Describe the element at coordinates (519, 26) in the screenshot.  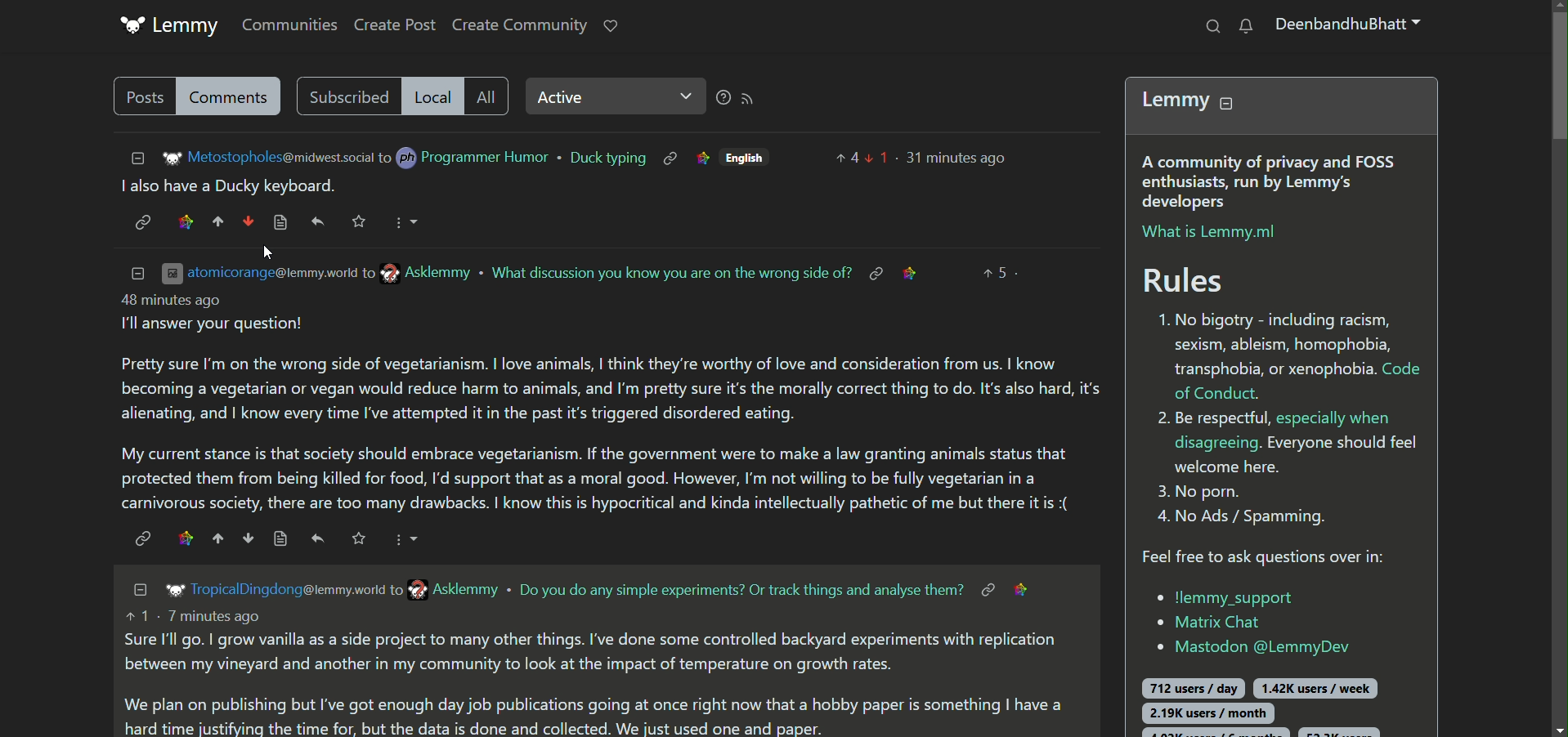
I see `create community` at that location.